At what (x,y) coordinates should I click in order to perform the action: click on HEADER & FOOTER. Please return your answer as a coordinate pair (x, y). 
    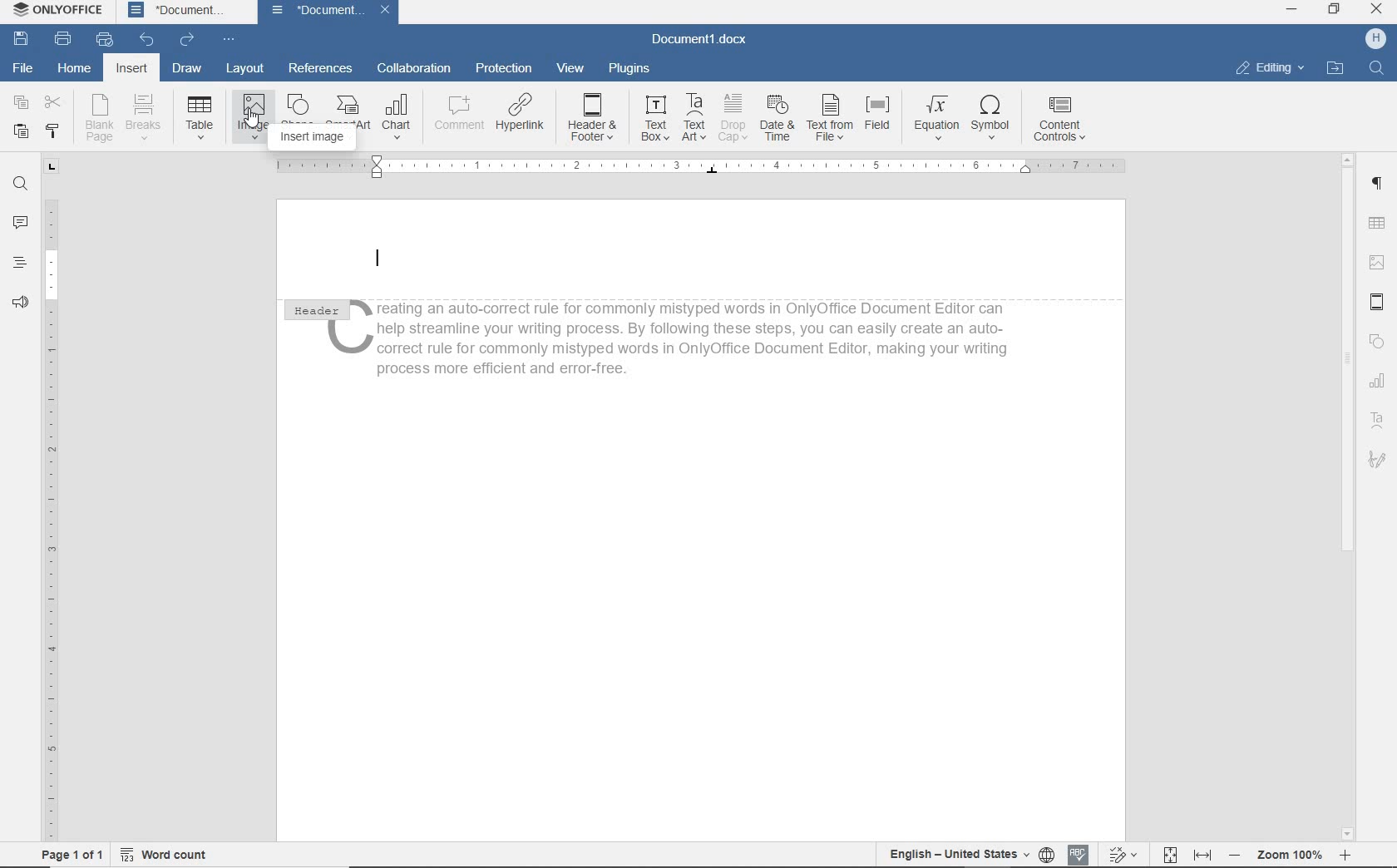
    Looking at the image, I should click on (591, 121).